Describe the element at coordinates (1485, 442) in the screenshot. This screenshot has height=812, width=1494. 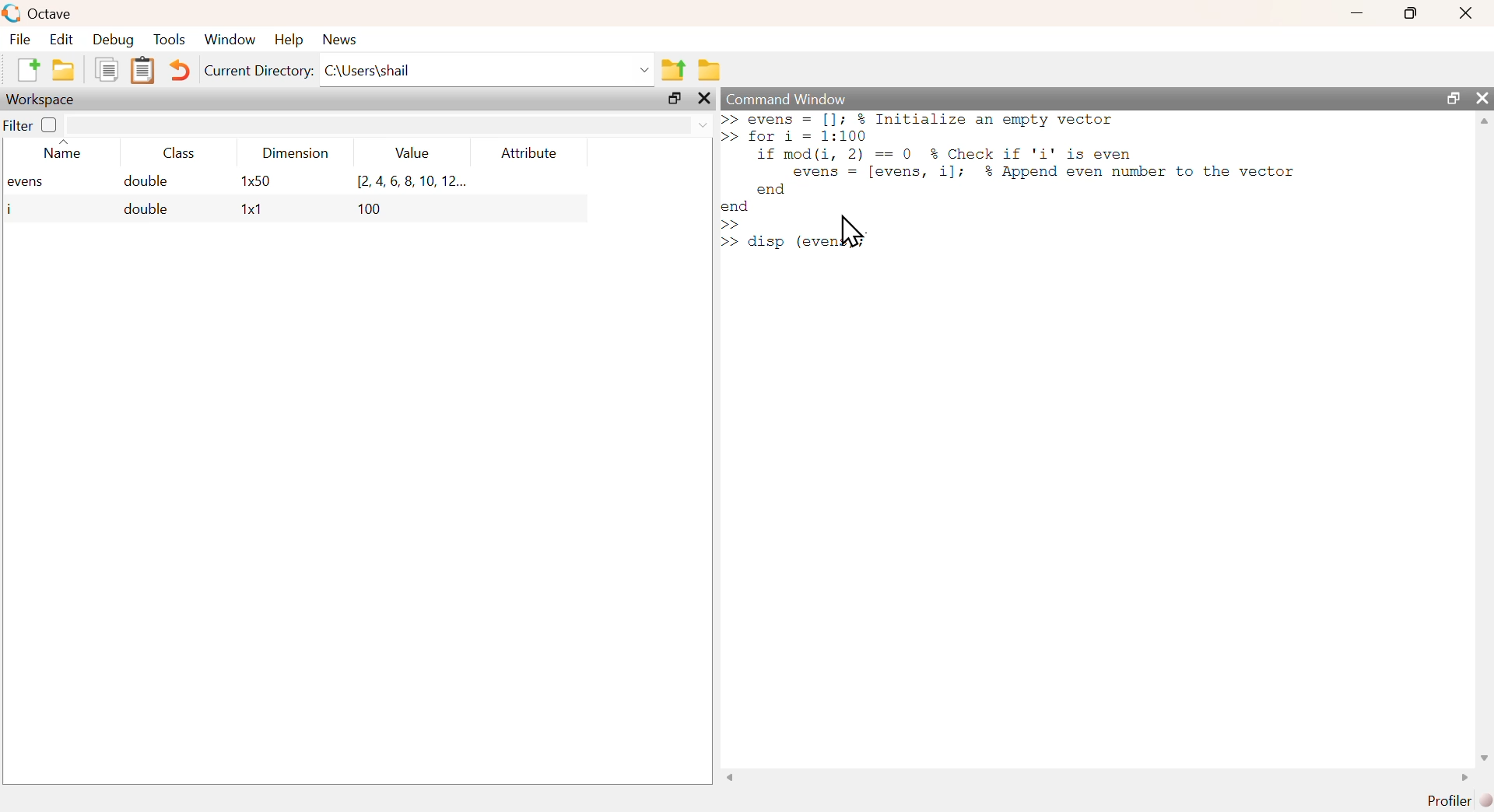
I see `scrollbar` at that location.